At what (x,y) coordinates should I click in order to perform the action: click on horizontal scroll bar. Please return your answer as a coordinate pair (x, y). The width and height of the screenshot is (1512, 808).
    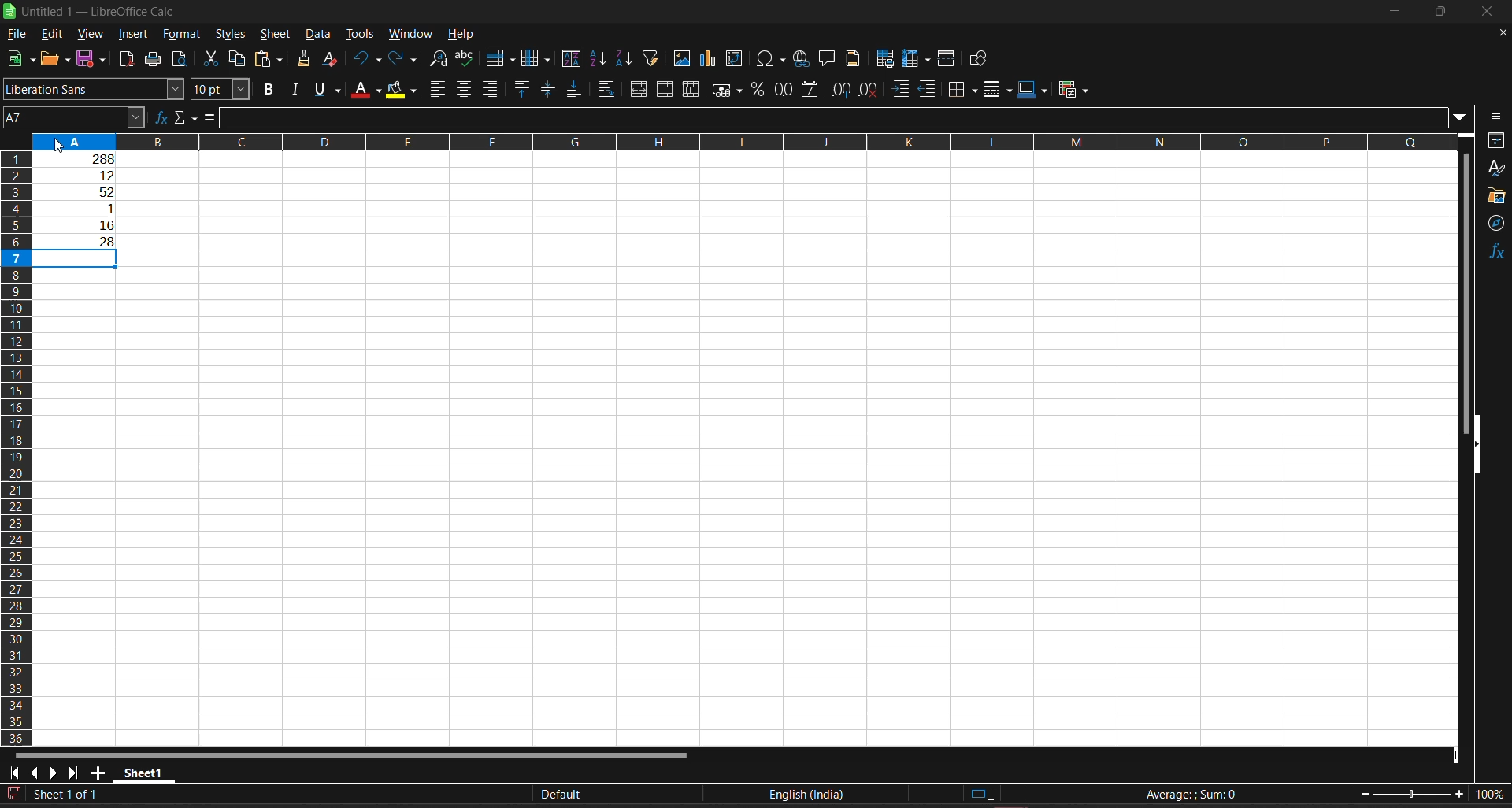
    Looking at the image, I should click on (353, 753).